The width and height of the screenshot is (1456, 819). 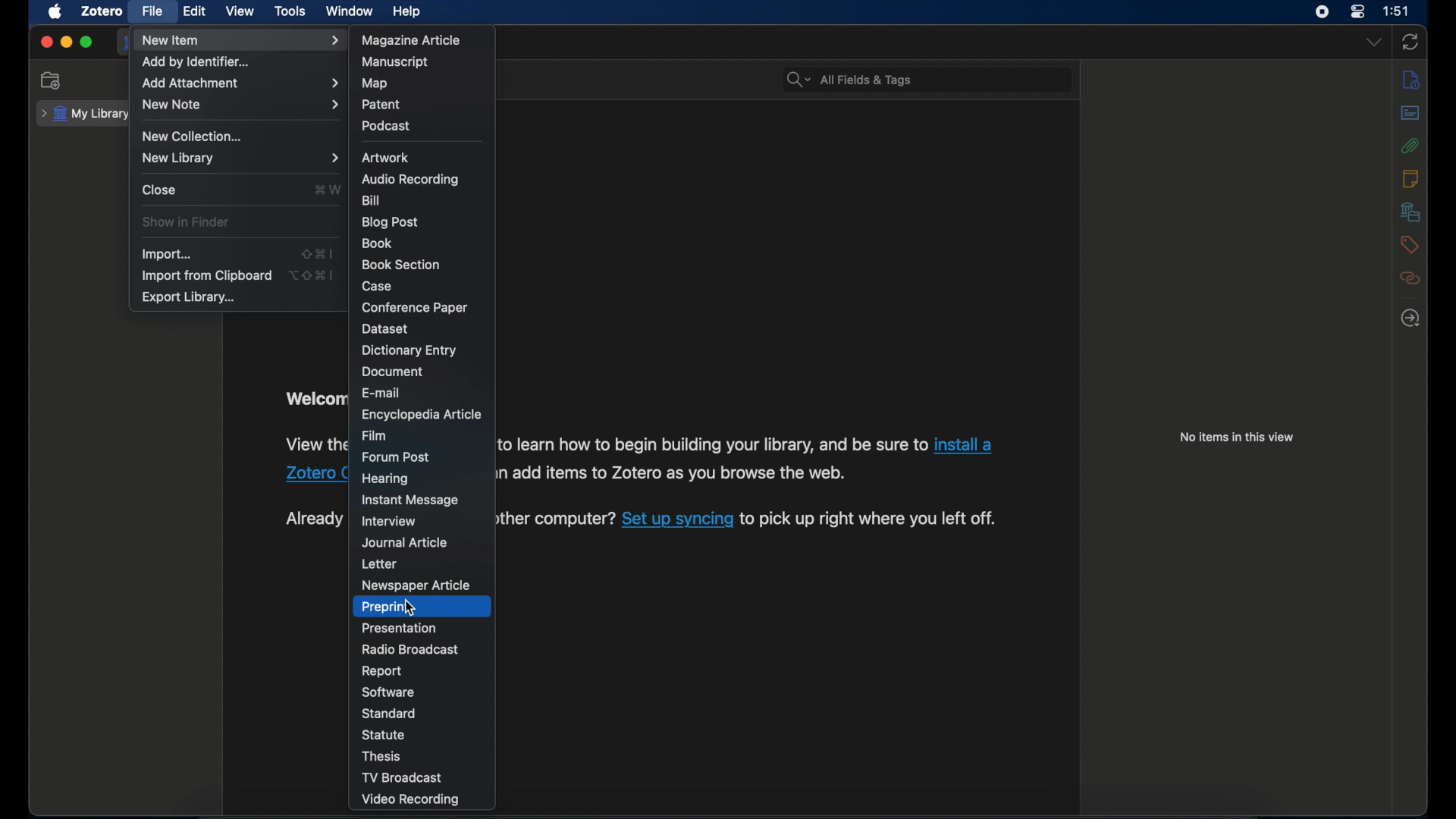 I want to click on instant message, so click(x=409, y=500).